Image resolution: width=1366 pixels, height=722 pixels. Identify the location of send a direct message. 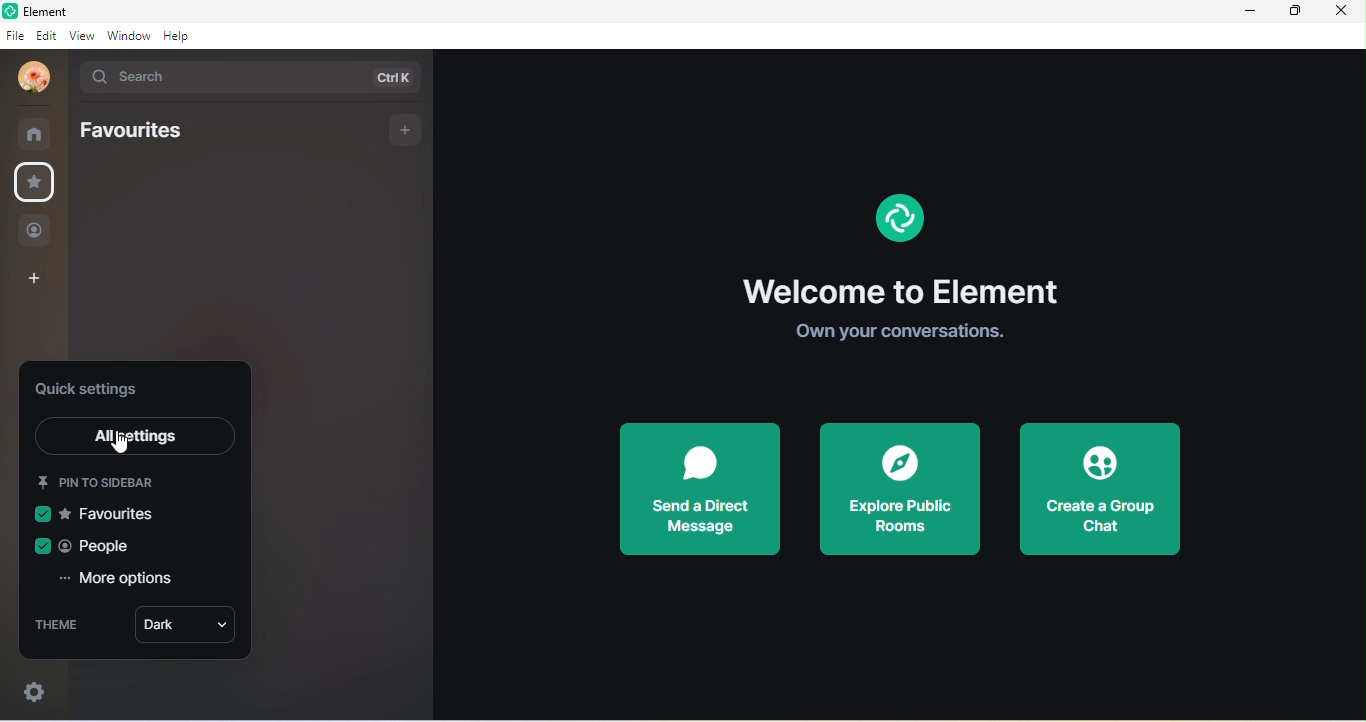
(700, 489).